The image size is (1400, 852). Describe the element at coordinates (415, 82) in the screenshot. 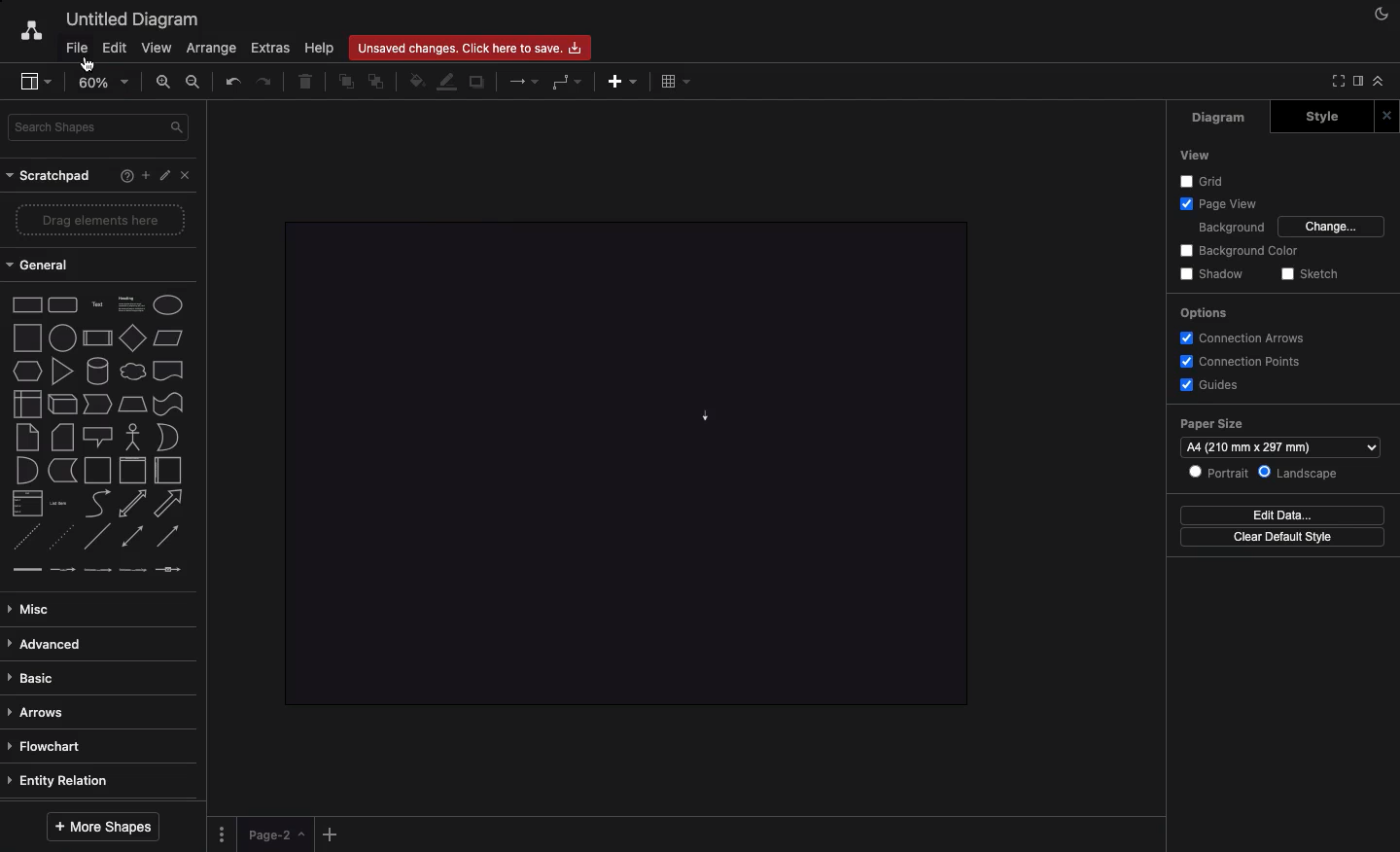

I see `Fill` at that location.